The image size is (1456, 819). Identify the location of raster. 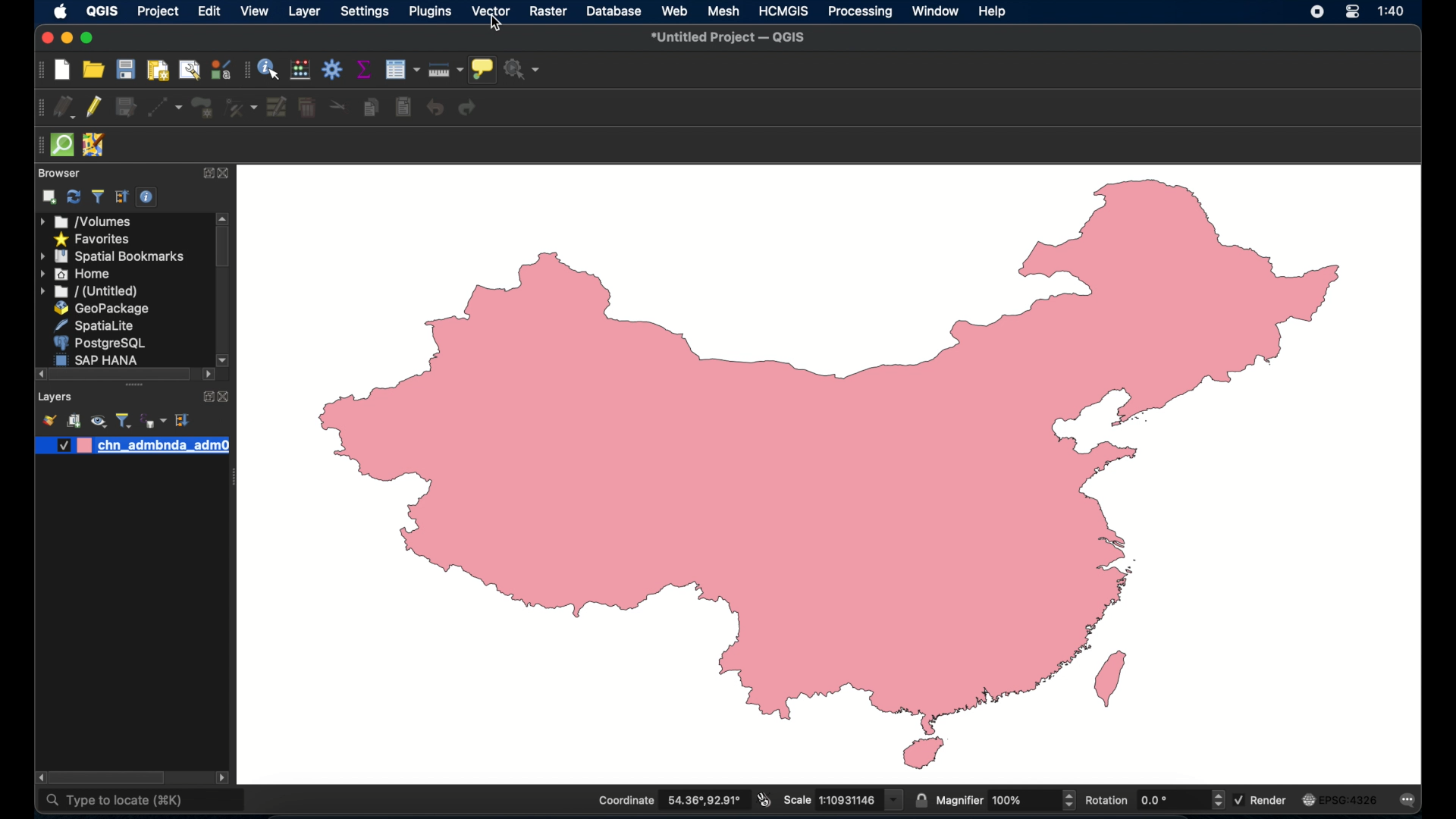
(548, 11).